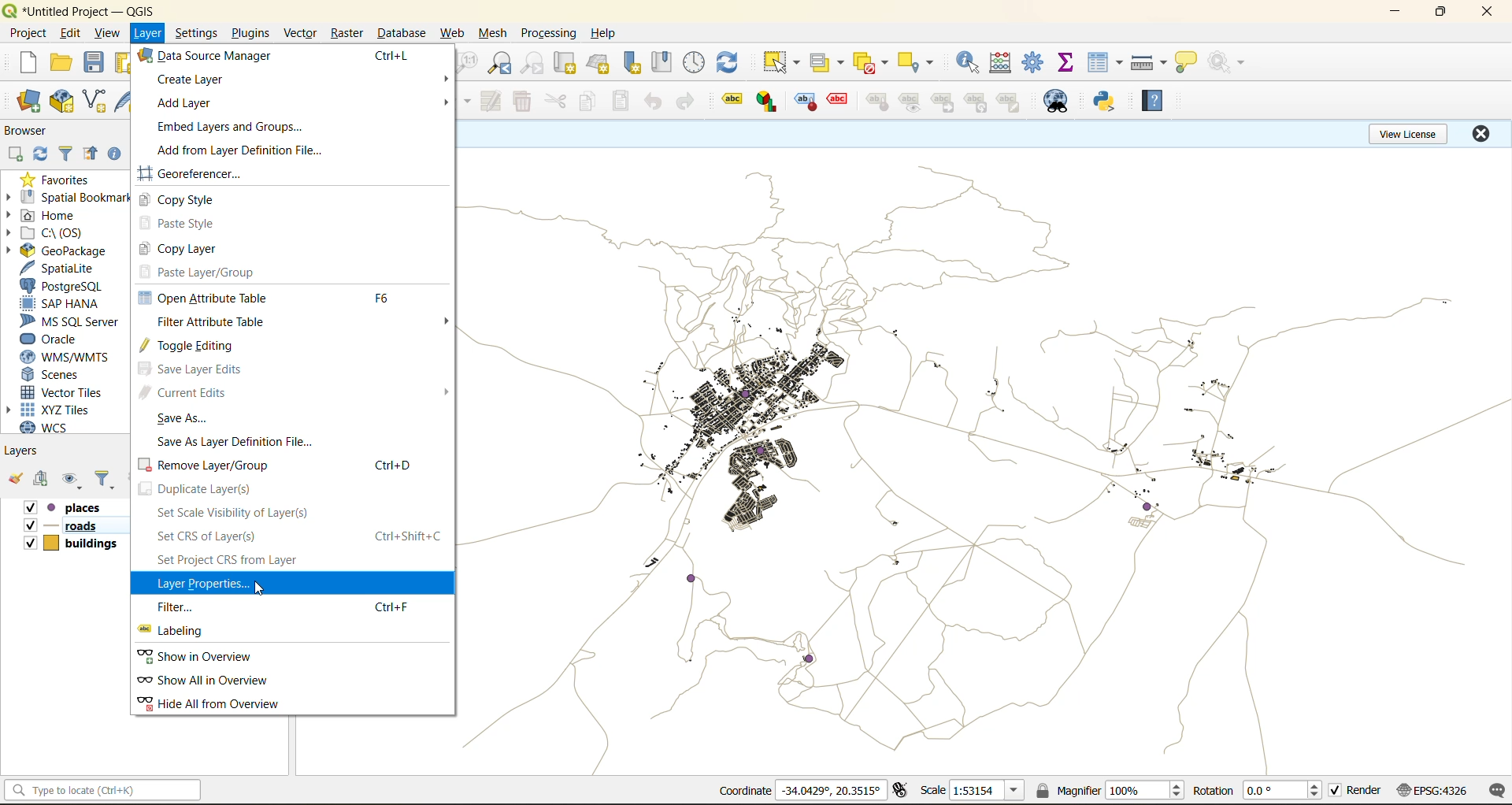 The image size is (1512, 805). What do you see at coordinates (267, 587) in the screenshot?
I see `cursor` at bounding box center [267, 587].